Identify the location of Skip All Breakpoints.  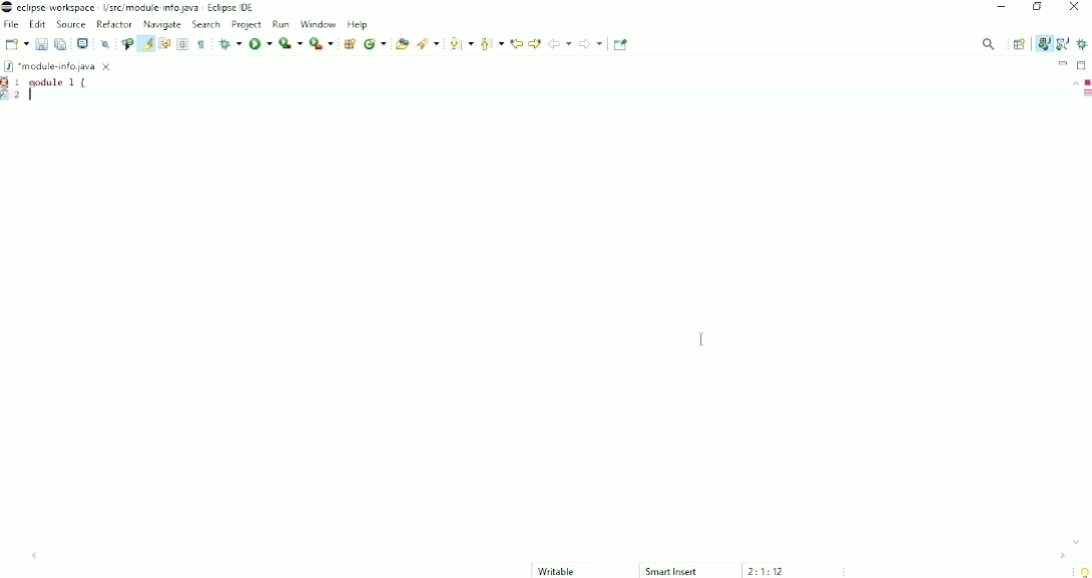
(103, 44).